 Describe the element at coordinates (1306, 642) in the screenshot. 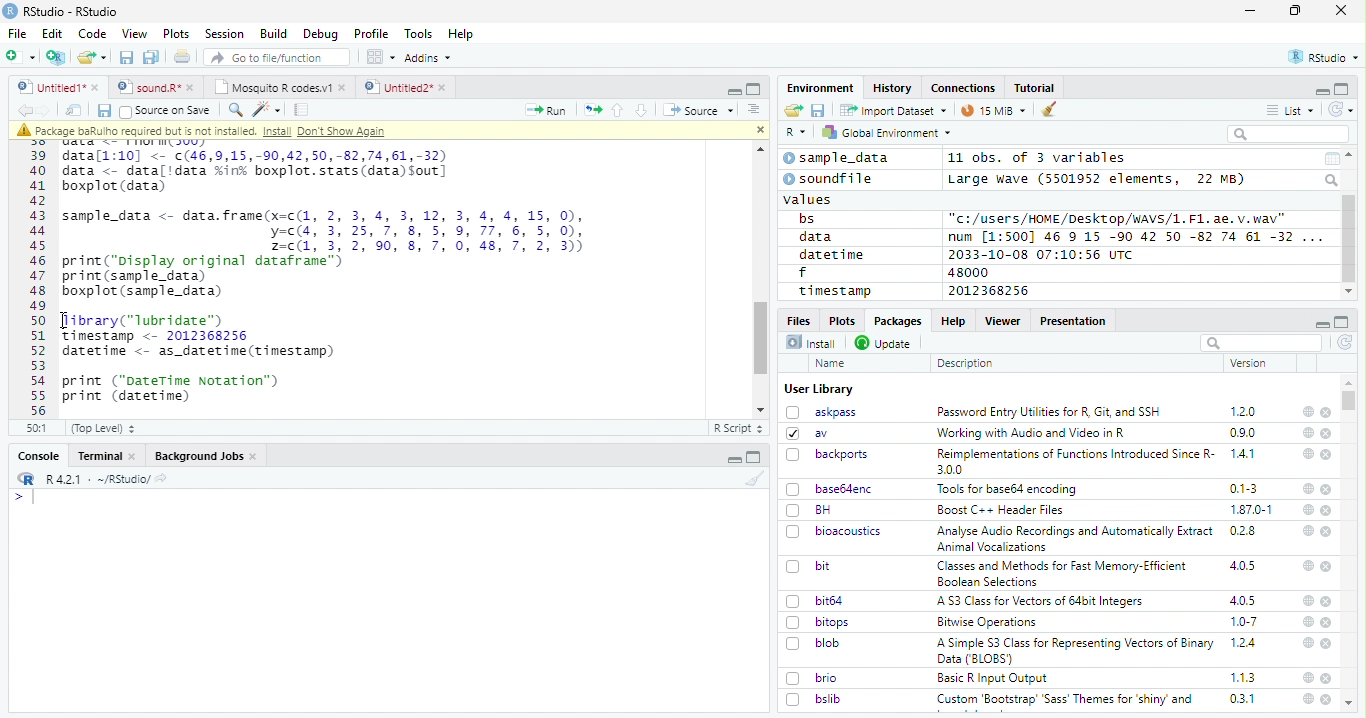

I see `help` at that location.